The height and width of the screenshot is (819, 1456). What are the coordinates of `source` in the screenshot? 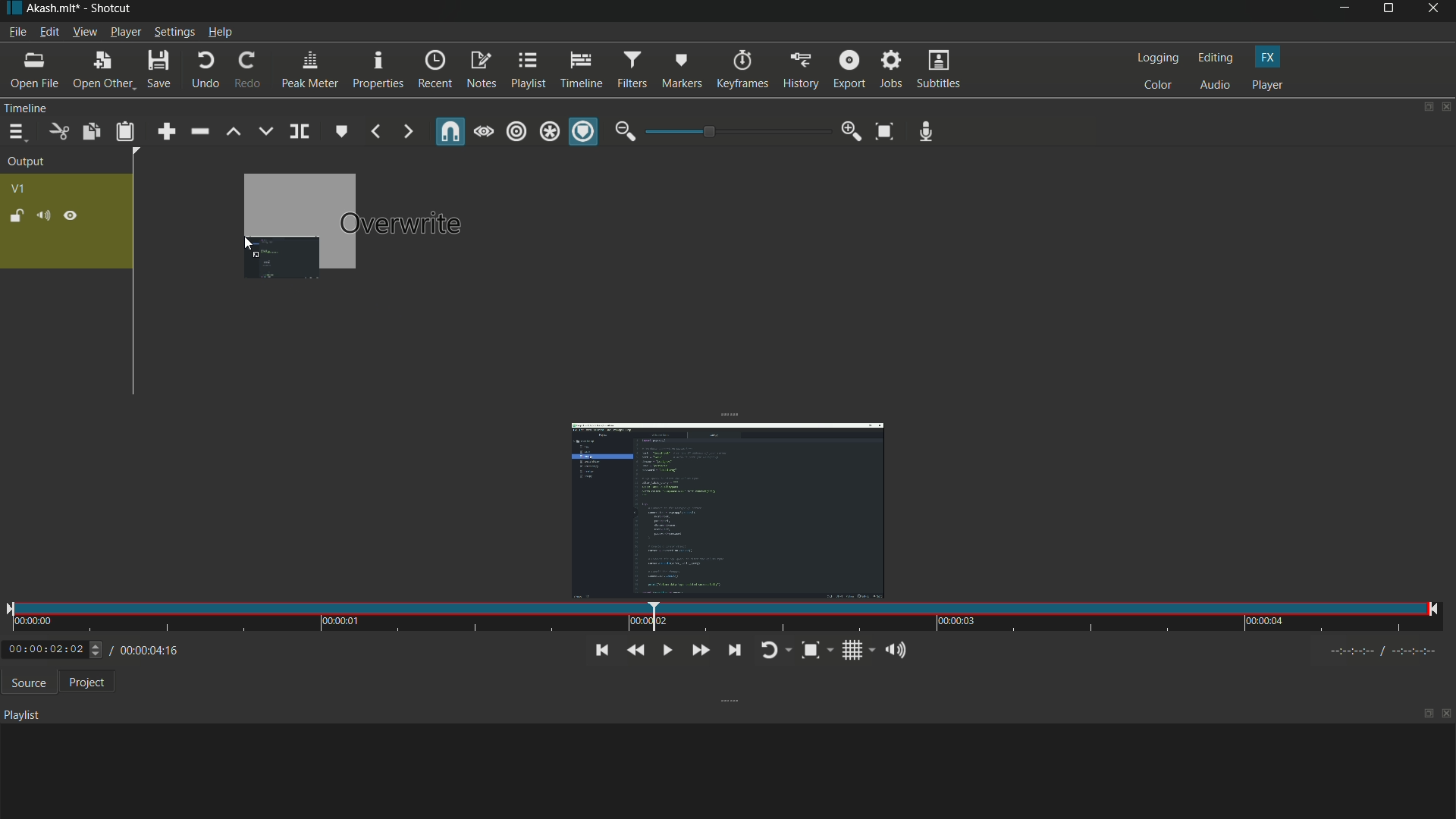 It's located at (25, 682).